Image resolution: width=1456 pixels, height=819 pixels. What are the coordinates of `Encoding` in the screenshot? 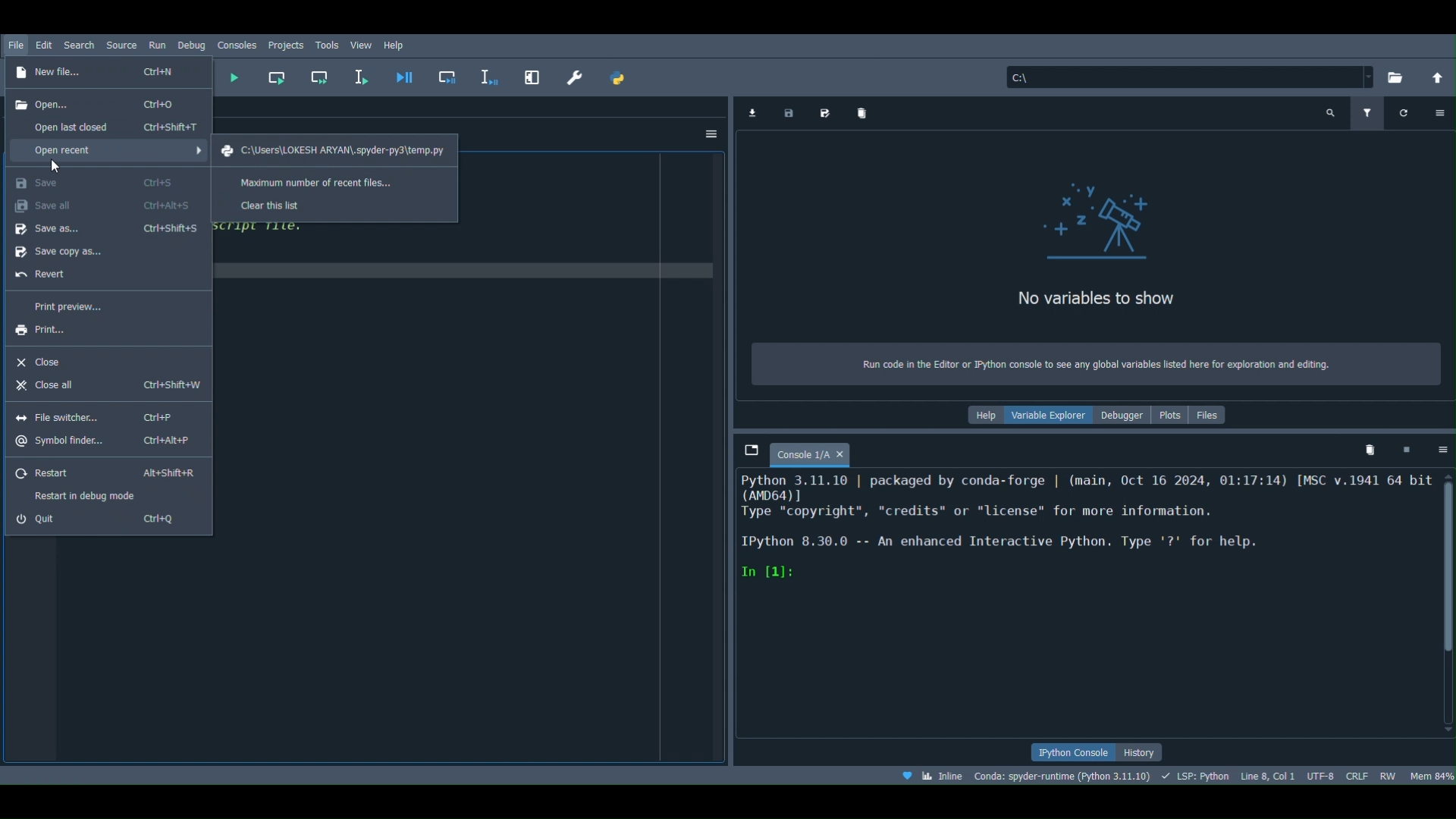 It's located at (1316, 774).